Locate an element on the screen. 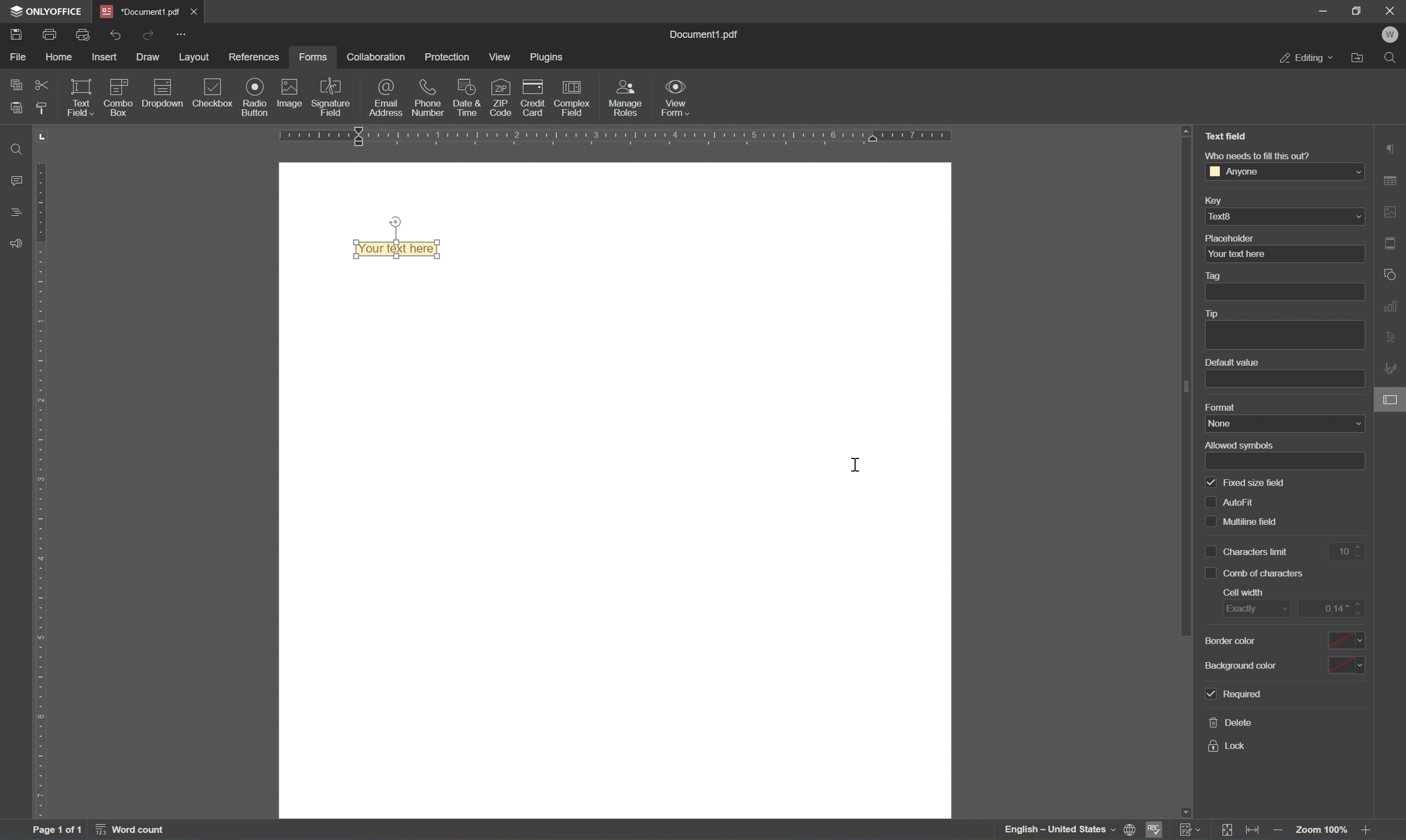  track changes is located at coordinates (1190, 830).